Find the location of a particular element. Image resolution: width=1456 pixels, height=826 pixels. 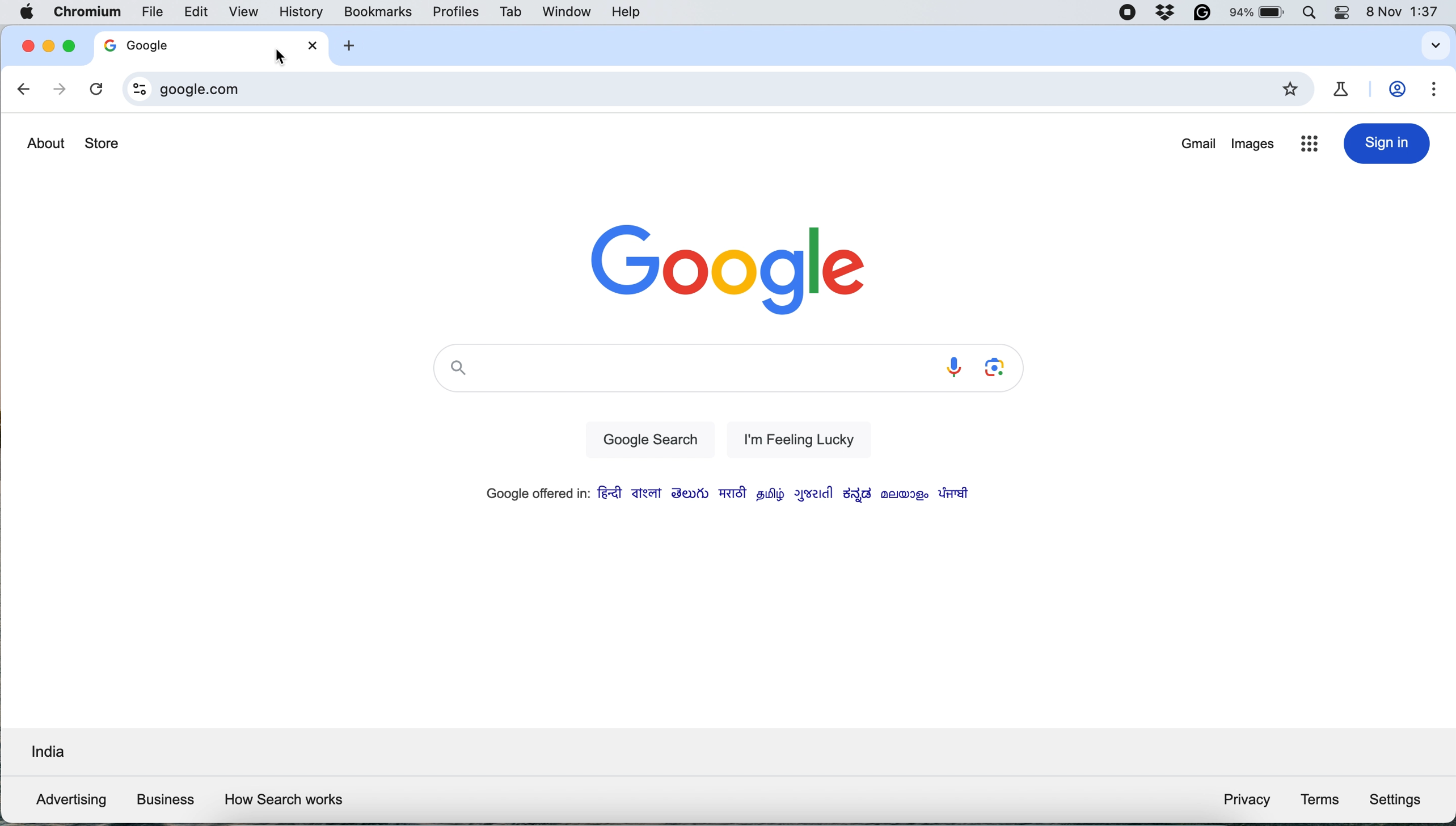

business is located at coordinates (164, 799).